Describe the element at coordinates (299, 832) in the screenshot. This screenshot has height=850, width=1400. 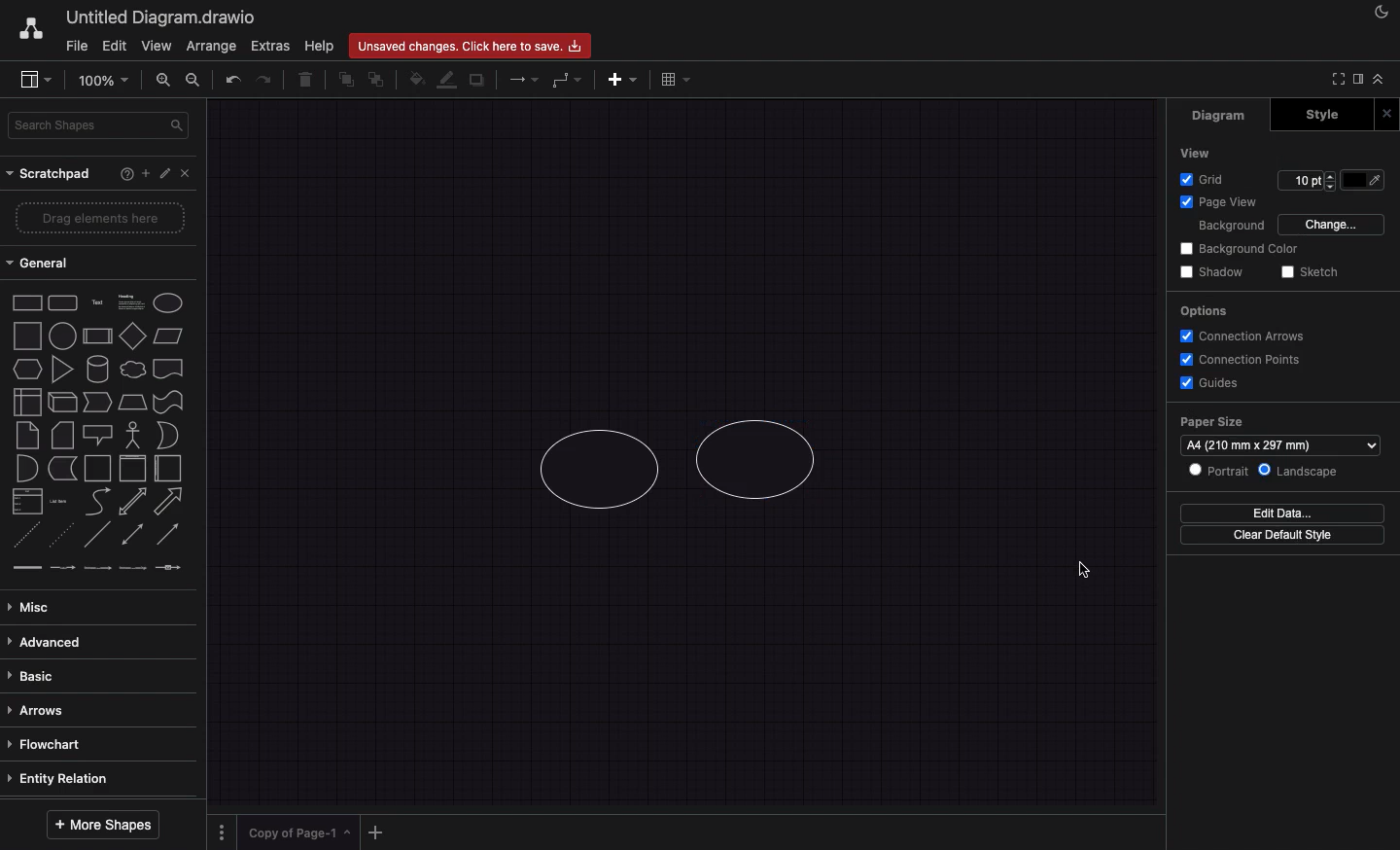
I see `copy of page-1` at that location.